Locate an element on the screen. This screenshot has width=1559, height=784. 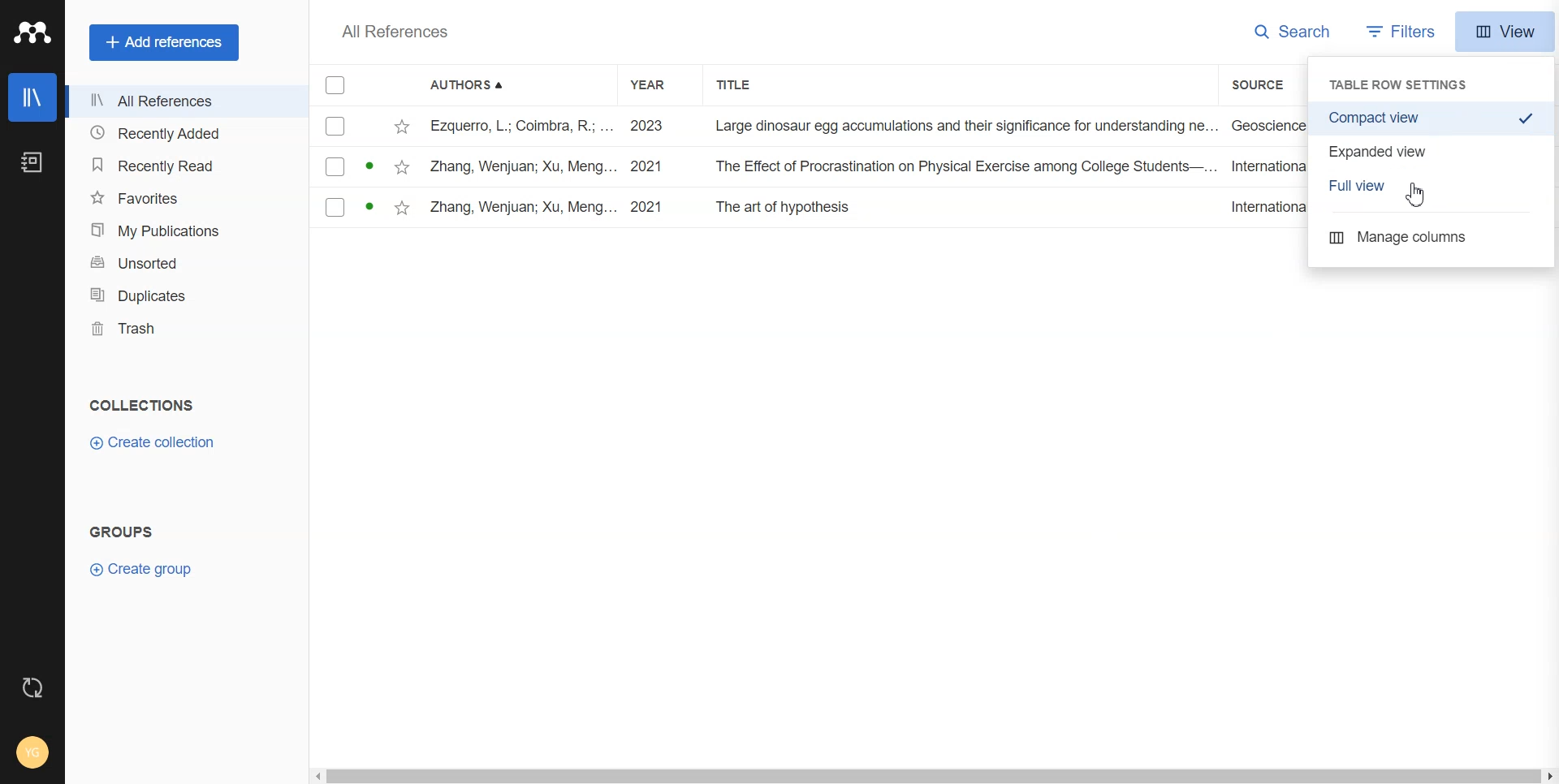
Duplicates is located at coordinates (174, 295).